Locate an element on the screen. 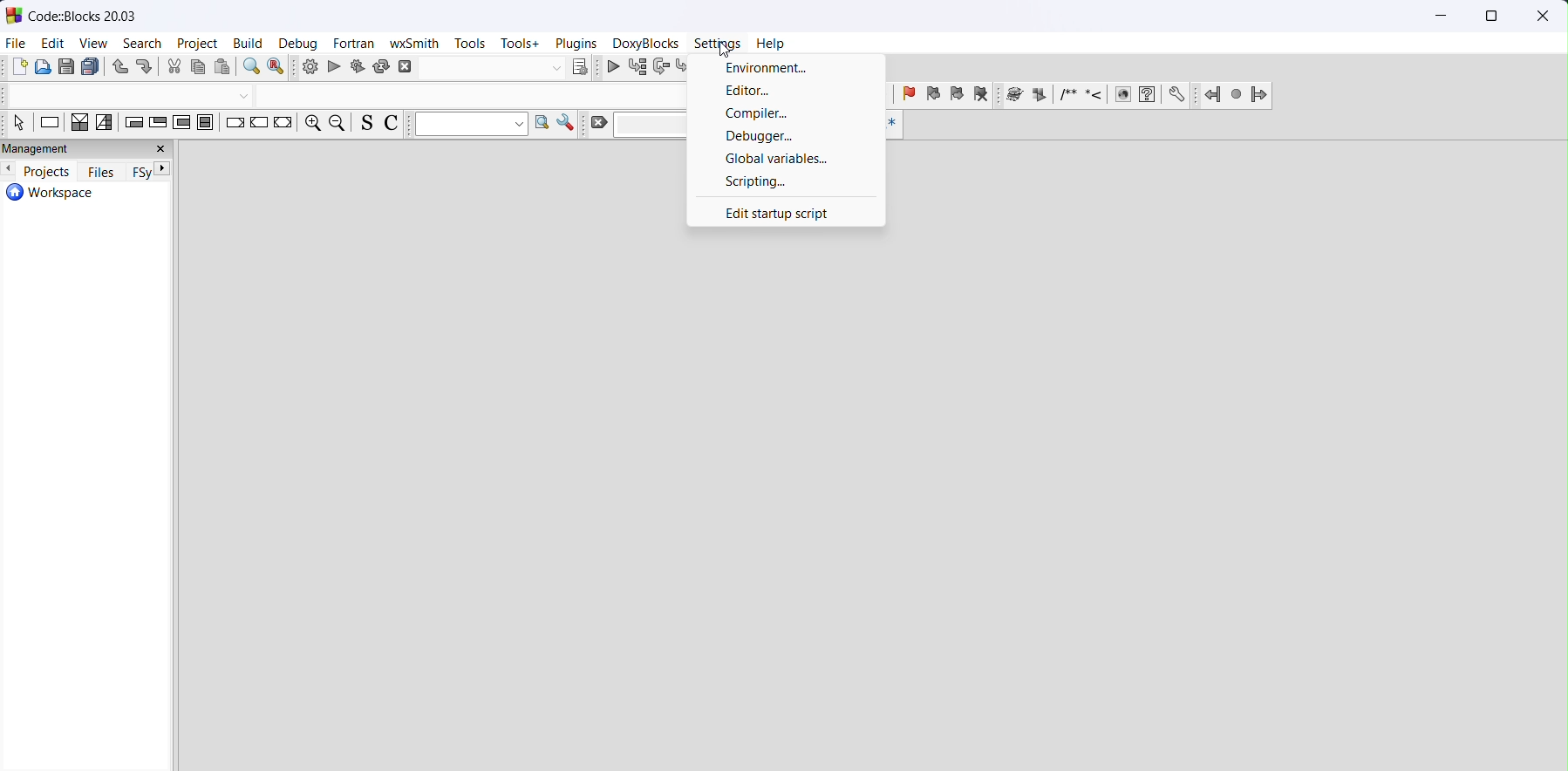  toggle bookmark is located at coordinates (908, 96).